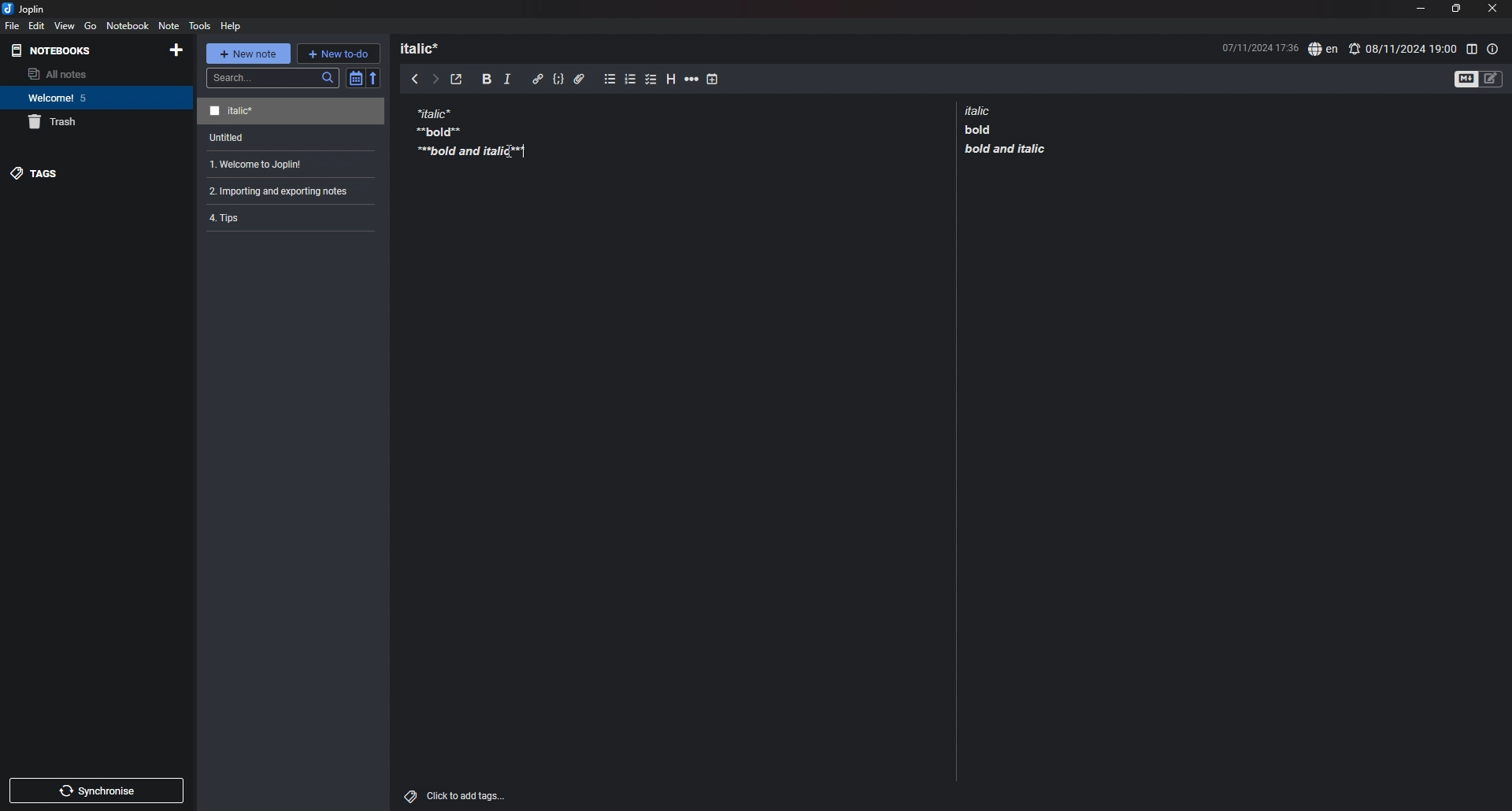  What do you see at coordinates (90, 26) in the screenshot?
I see `go` at bounding box center [90, 26].